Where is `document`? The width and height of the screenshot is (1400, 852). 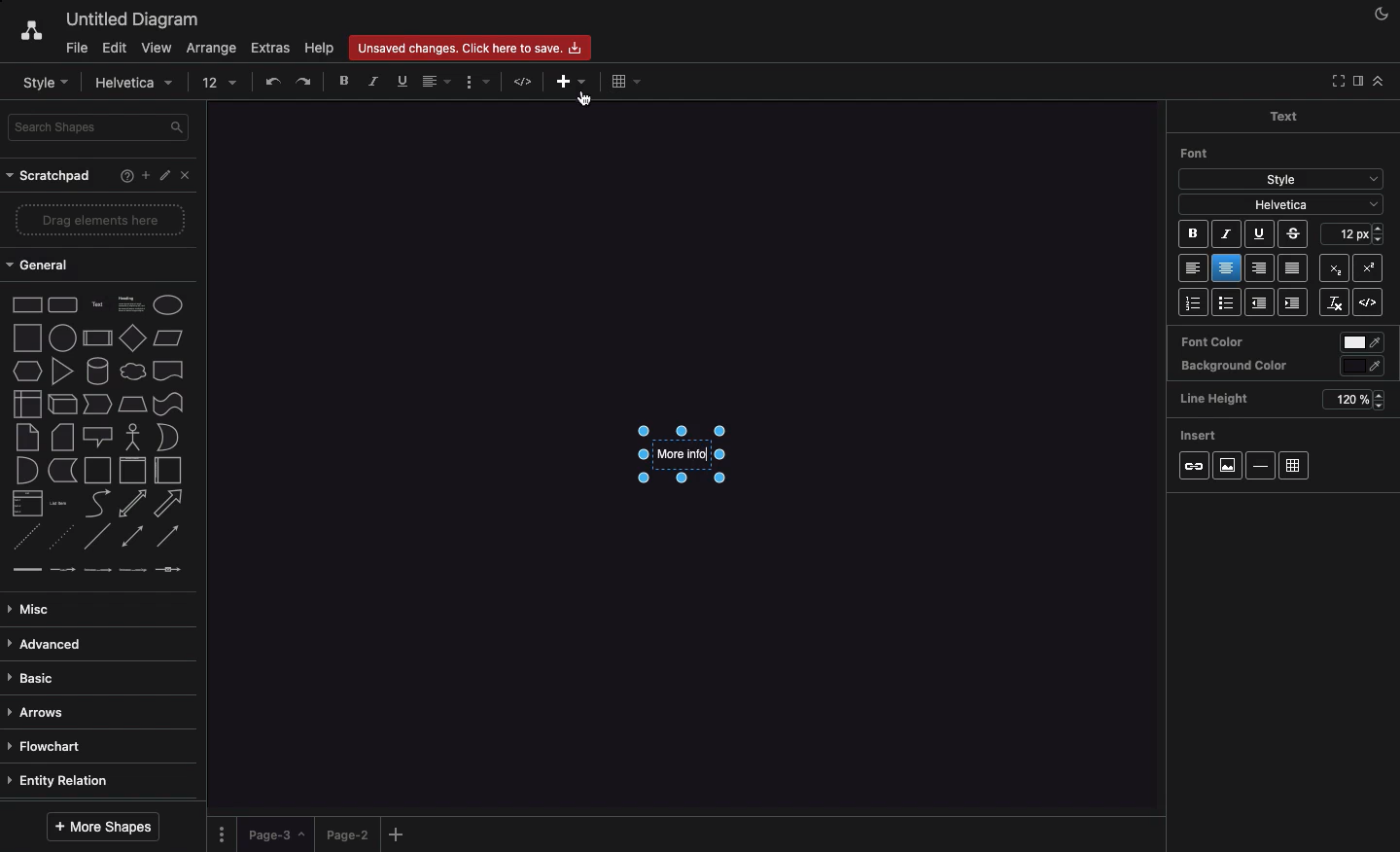
document is located at coordinates (169, 371).